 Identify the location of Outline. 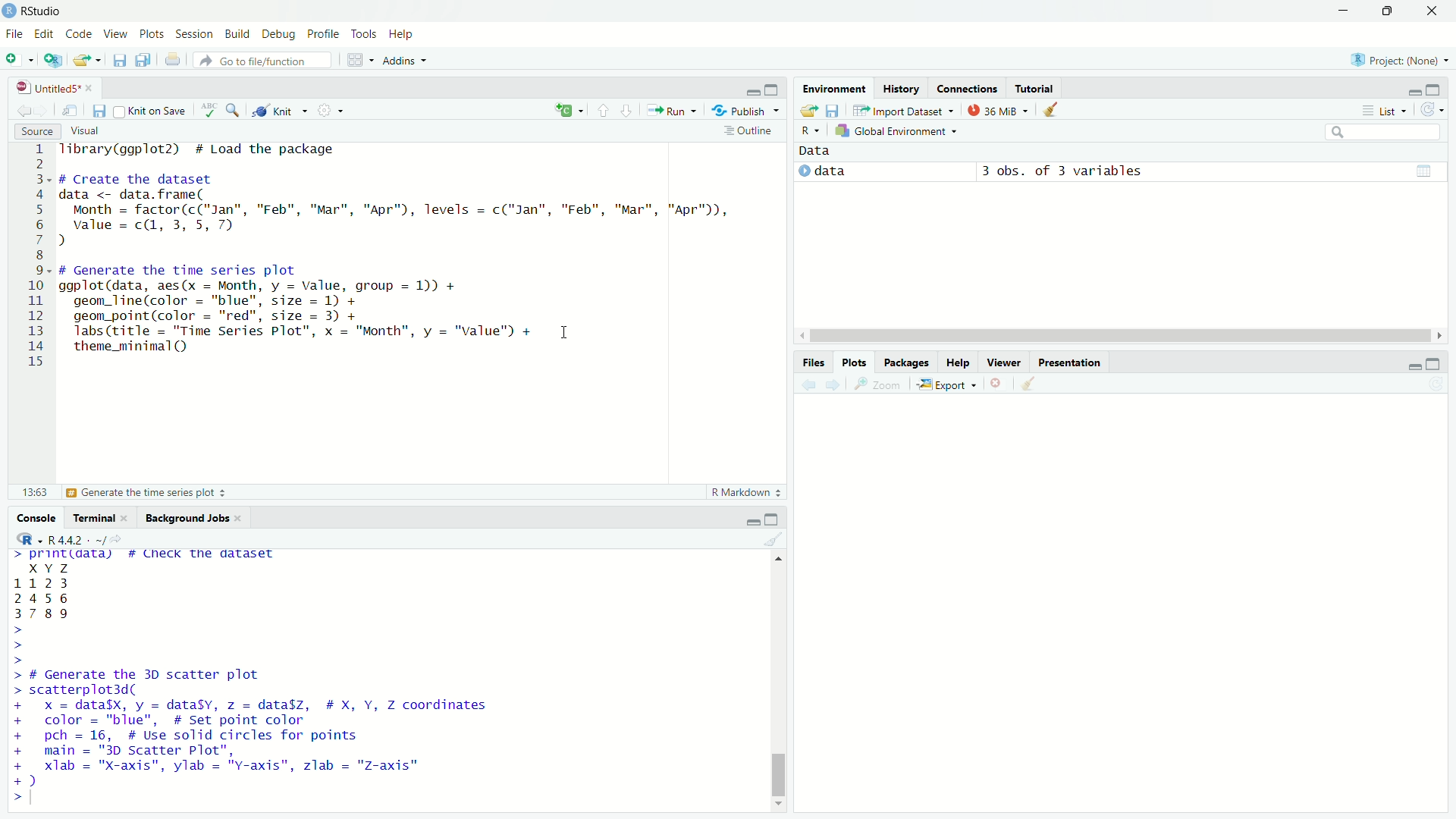
(751, 130).